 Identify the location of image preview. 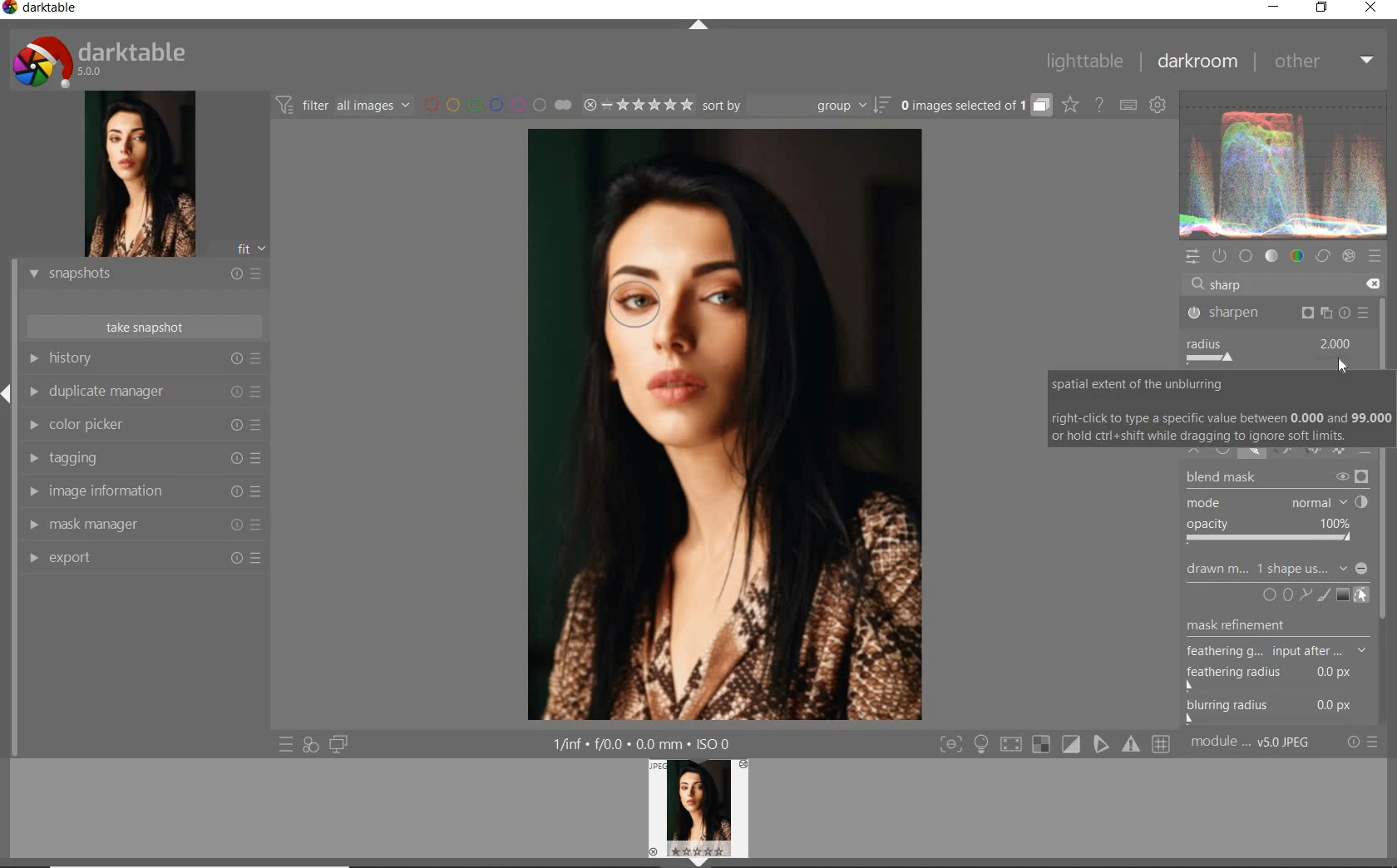
(141, 174).